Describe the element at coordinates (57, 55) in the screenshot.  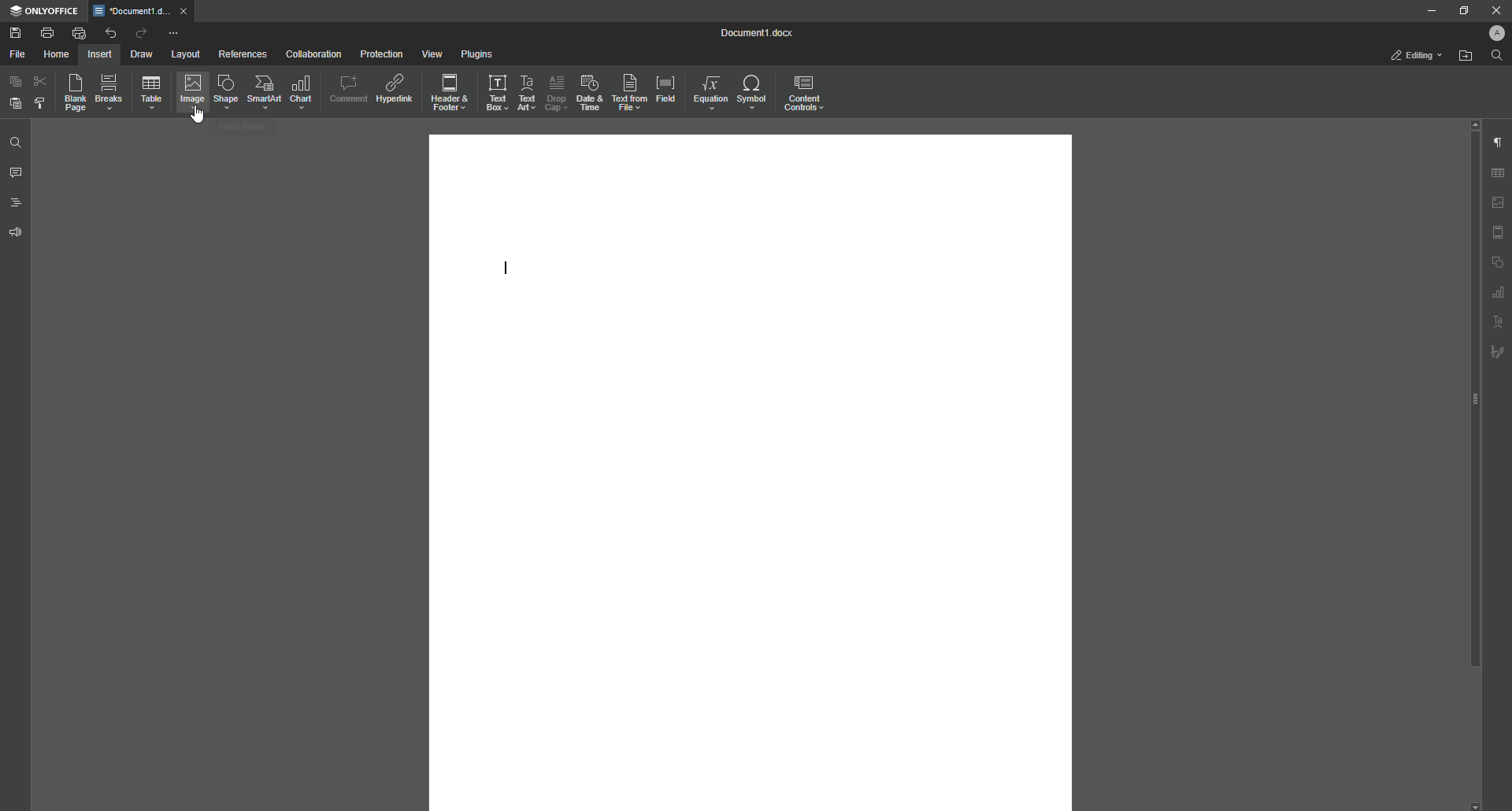
I see `Home` at that location.